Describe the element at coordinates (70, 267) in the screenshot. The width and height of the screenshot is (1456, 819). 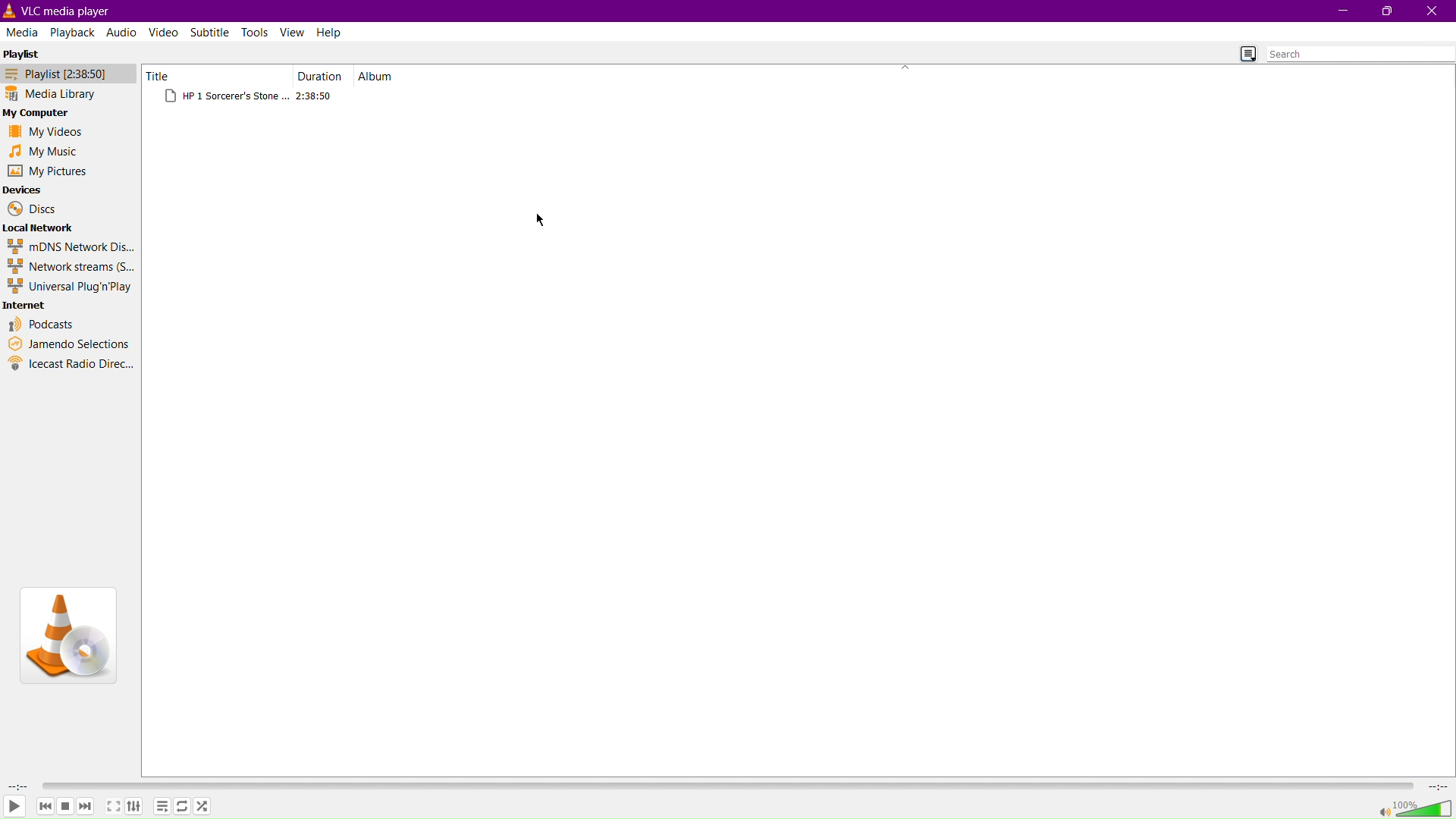
I see `Network Streams` at that location.